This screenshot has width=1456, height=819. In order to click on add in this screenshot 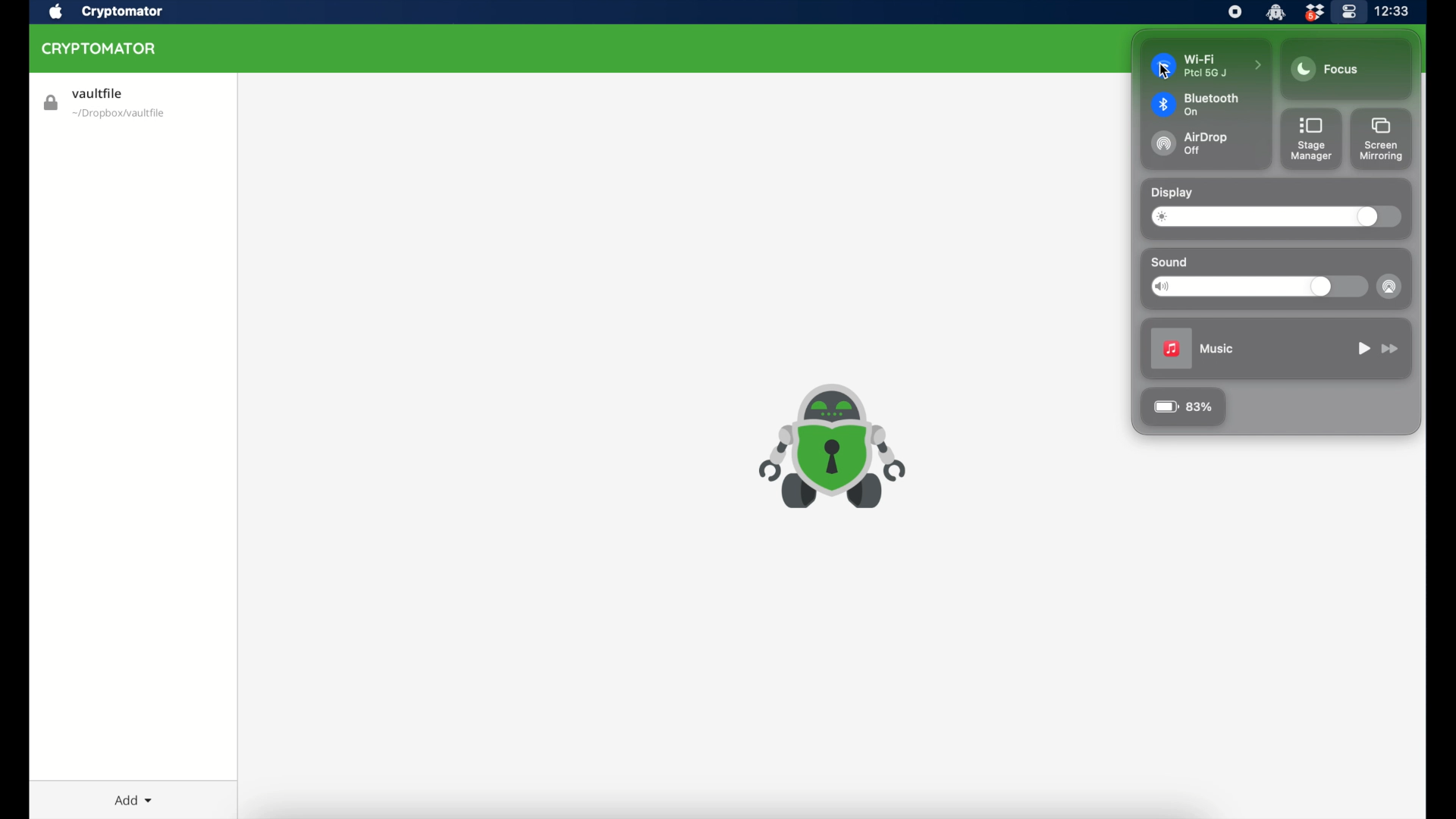, I will do `click(133, 800)`.